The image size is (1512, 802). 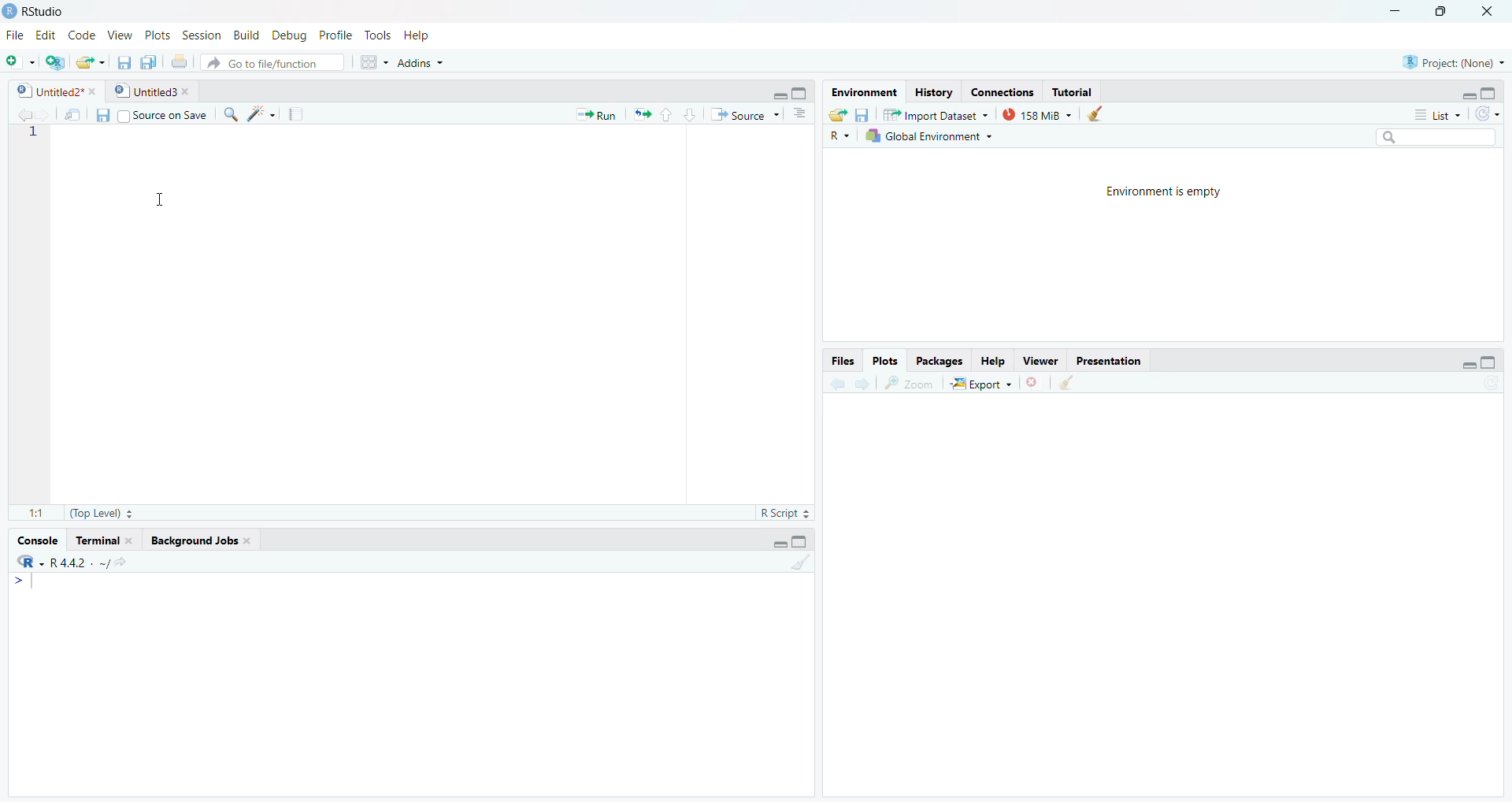 I want to click on Minimize/Maximize, so click(x=793, y=91).